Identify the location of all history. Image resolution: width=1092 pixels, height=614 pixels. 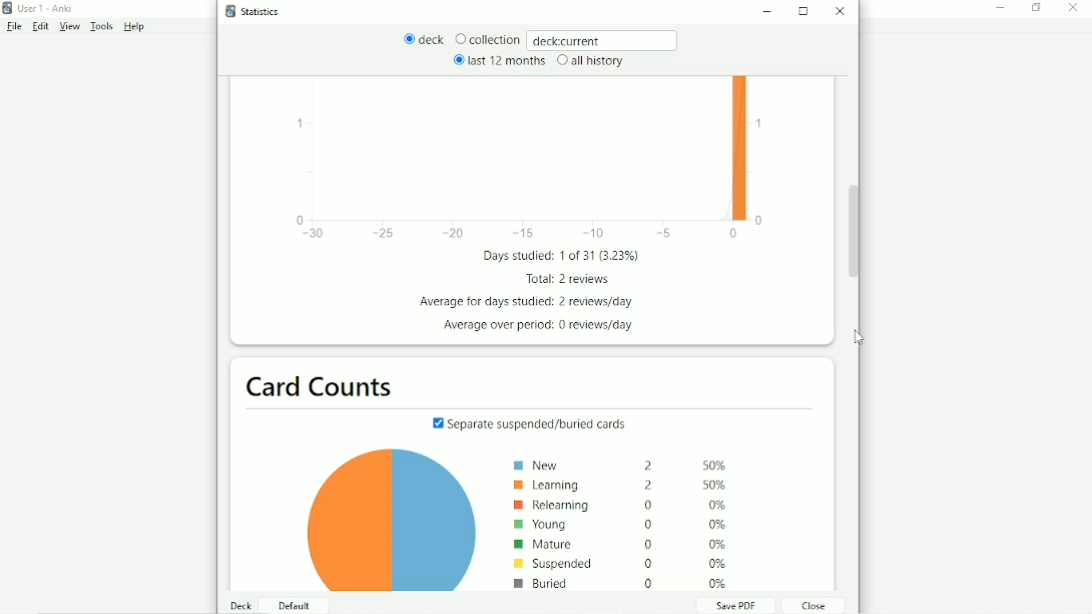
(589, 61).